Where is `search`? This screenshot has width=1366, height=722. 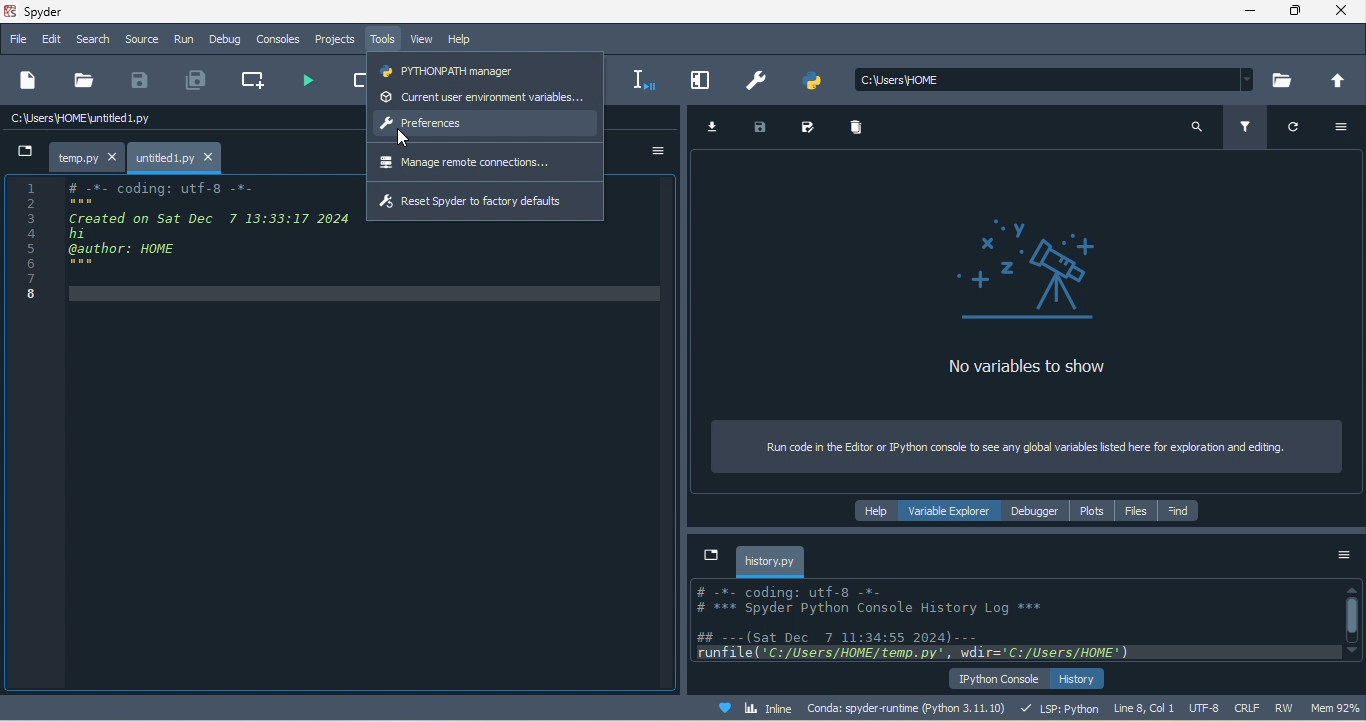
search is located at coordinates (1196, 132).